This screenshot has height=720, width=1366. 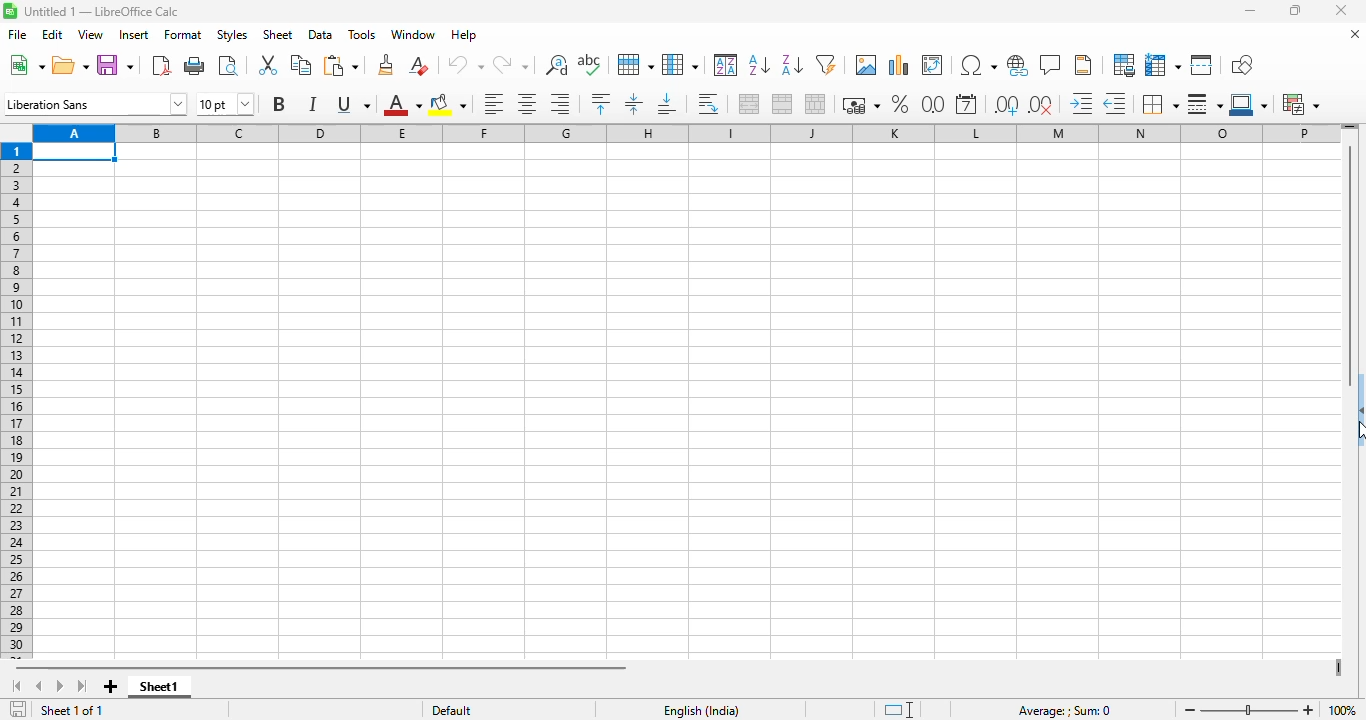 What do you see at coordinates (225, 104) in the screenshot?
I see `font size` at bounding box center [225, 104].